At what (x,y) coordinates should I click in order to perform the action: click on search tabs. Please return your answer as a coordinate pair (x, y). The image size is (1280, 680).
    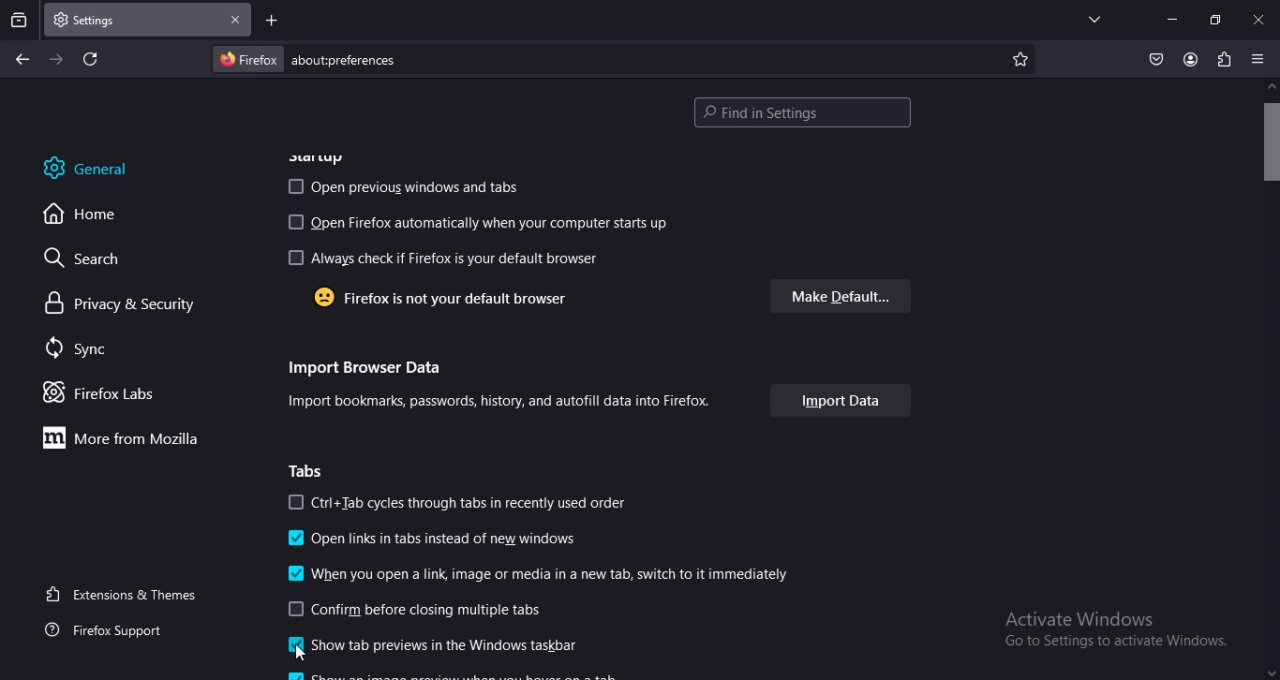
    Looking at the image, I should click on (19, 19).